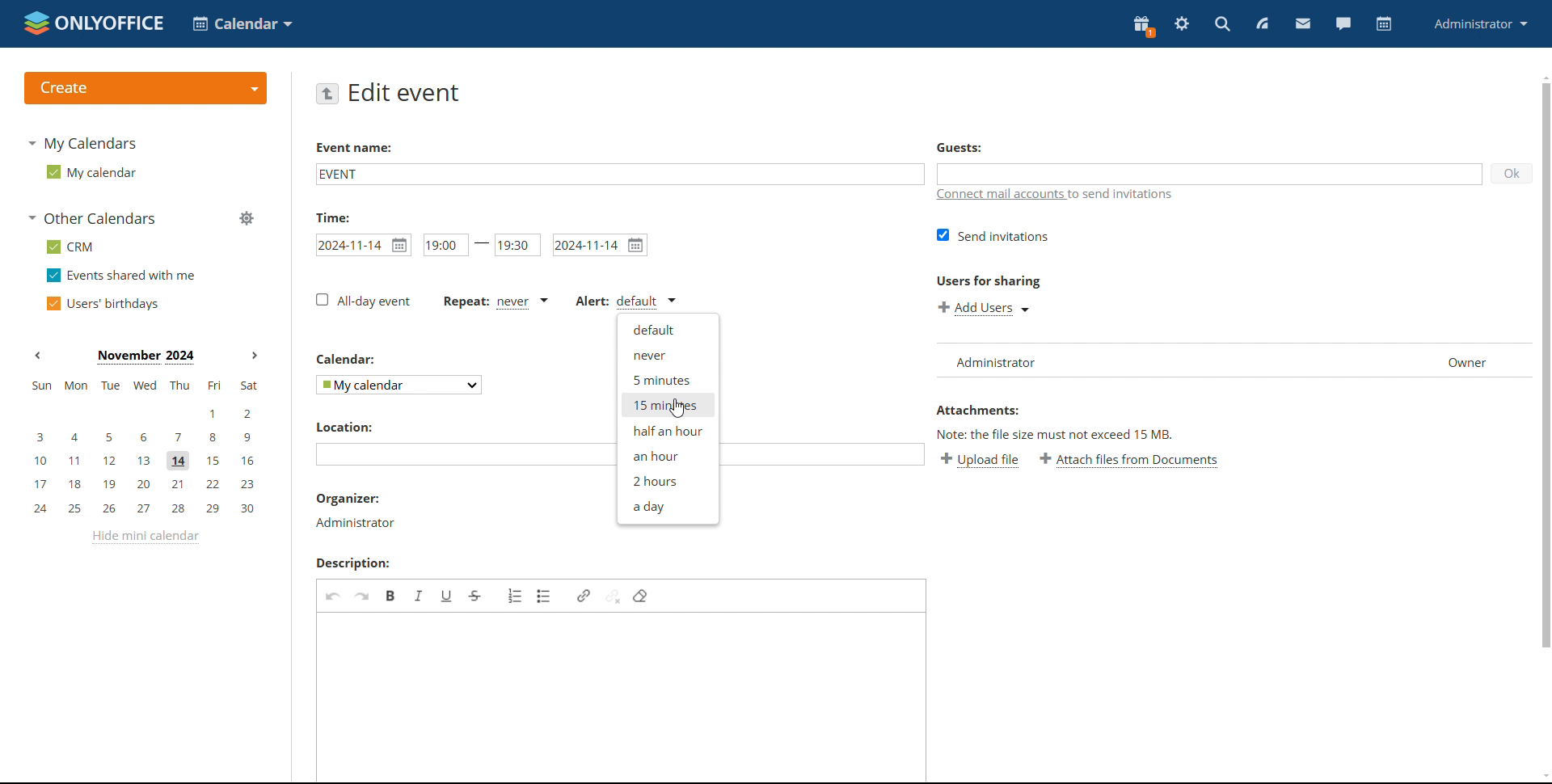 This screenshot has height=784, width=1552. What do you see at coordinates (667, 455) in the screenshot?
I see `an hour` at bounding box center [667, 455].